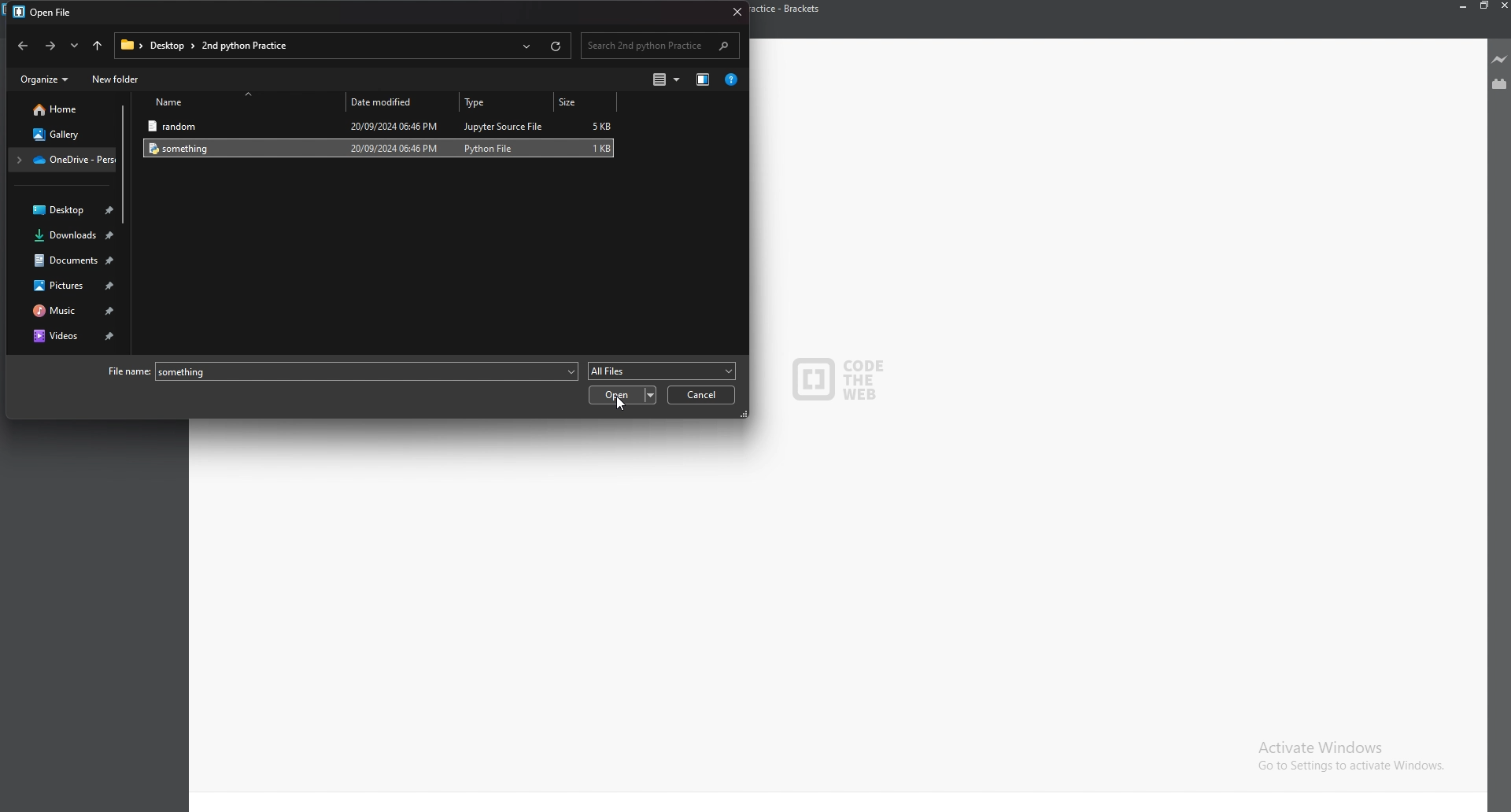 This screenshot has height=812, width=1511. What do you see at coordinates (63, 160) in the screenshot?
I see `folder` at bounding box center [63, 160].